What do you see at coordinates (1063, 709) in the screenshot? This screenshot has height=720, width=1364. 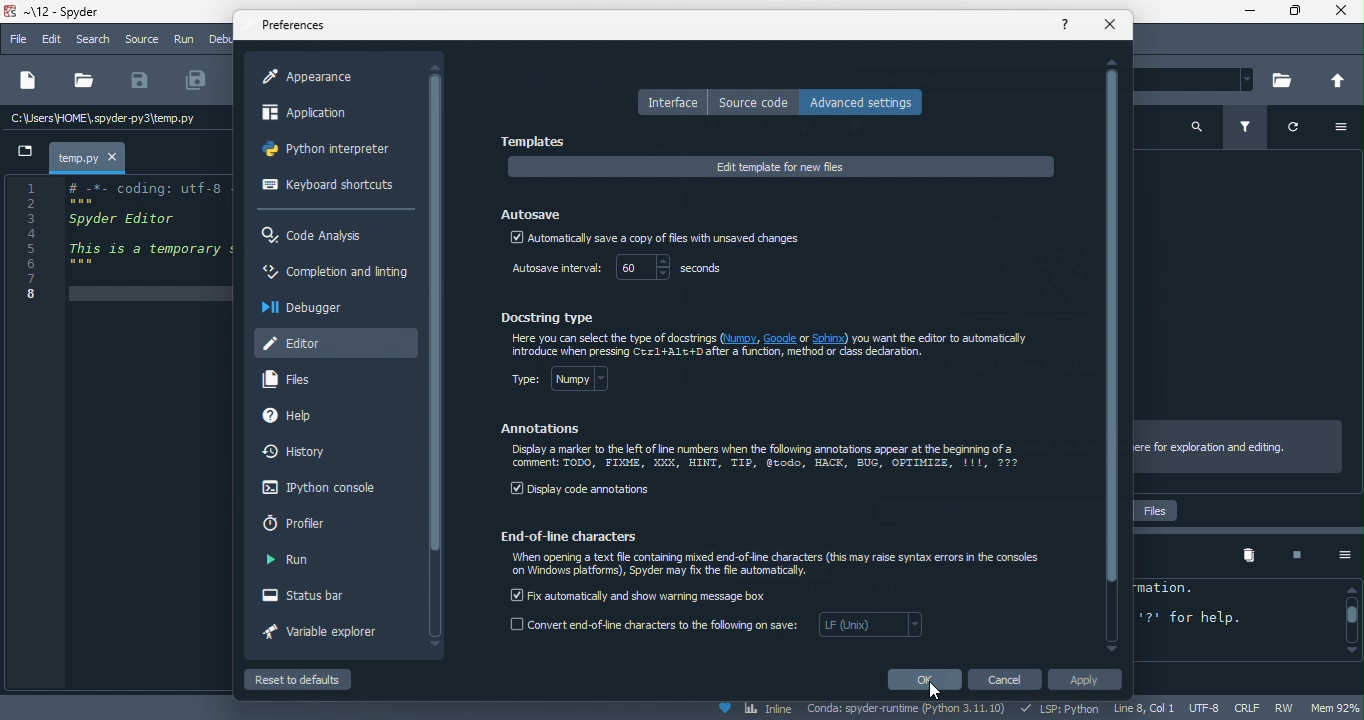 I see `lsp python` at bounding box center [1063, 709].